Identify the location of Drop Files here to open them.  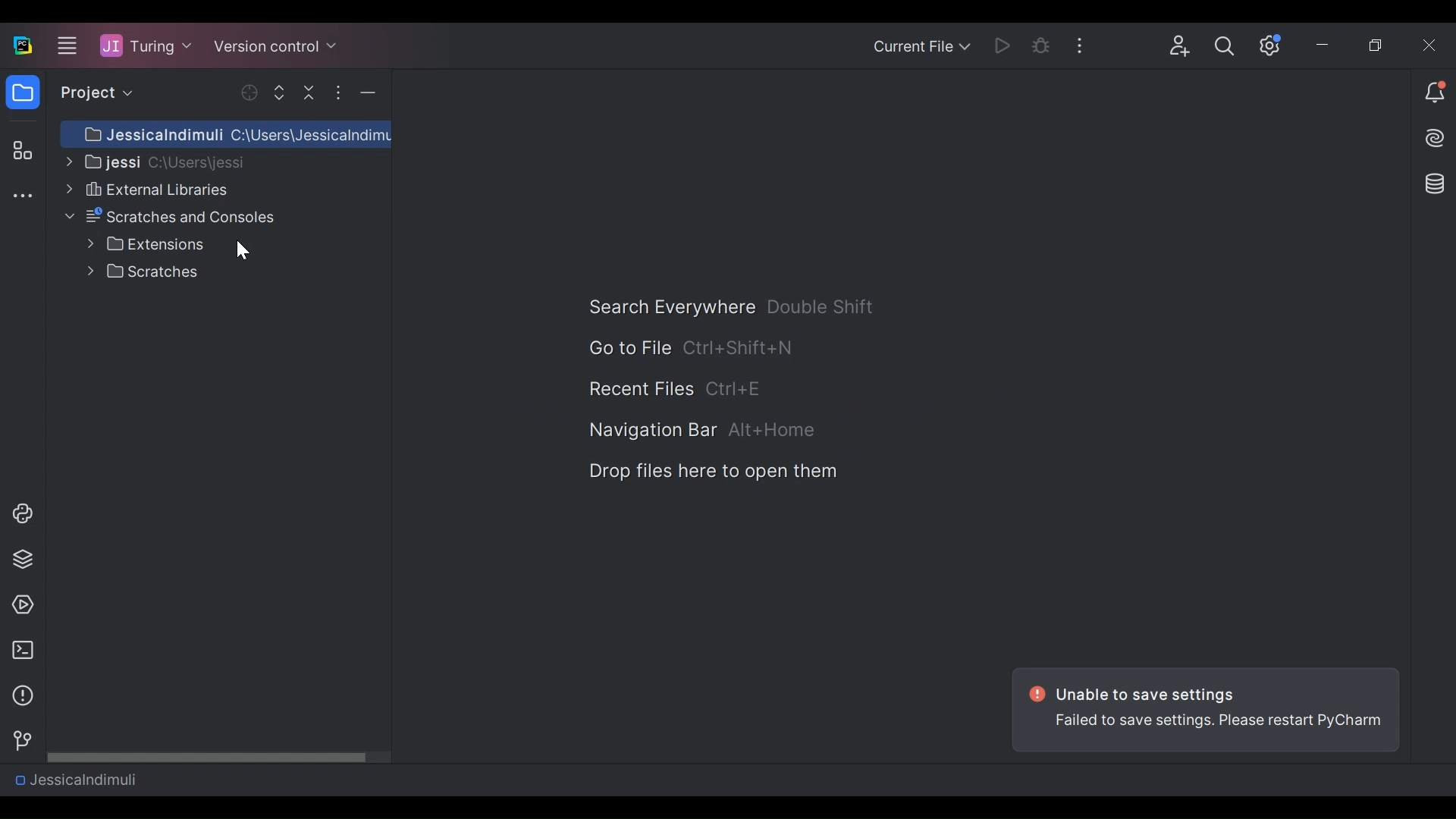
(711, 472).